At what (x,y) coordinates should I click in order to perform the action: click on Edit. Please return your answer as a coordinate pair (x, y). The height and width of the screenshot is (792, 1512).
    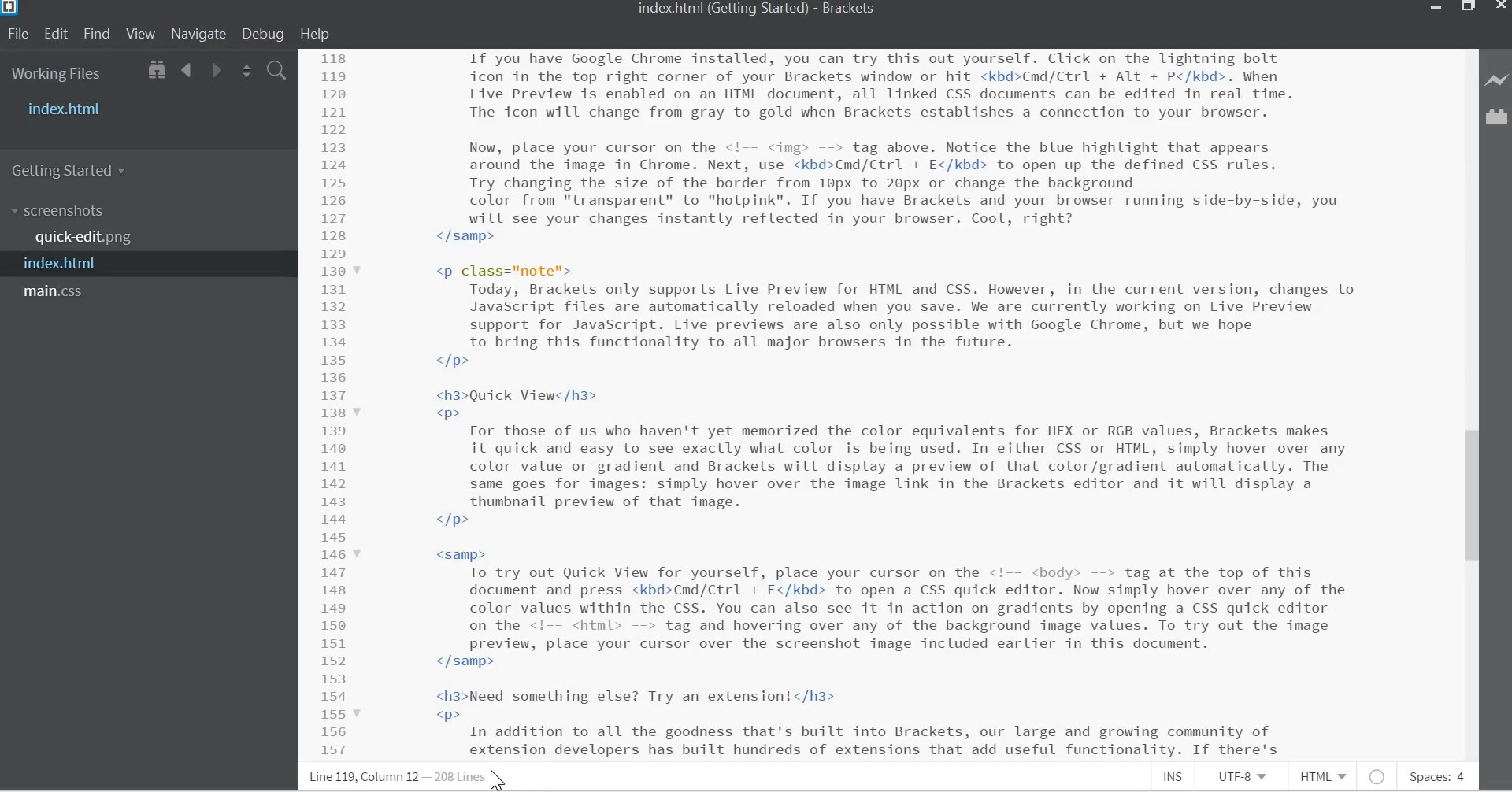
    Looking at the image, I should click on (55, 35).